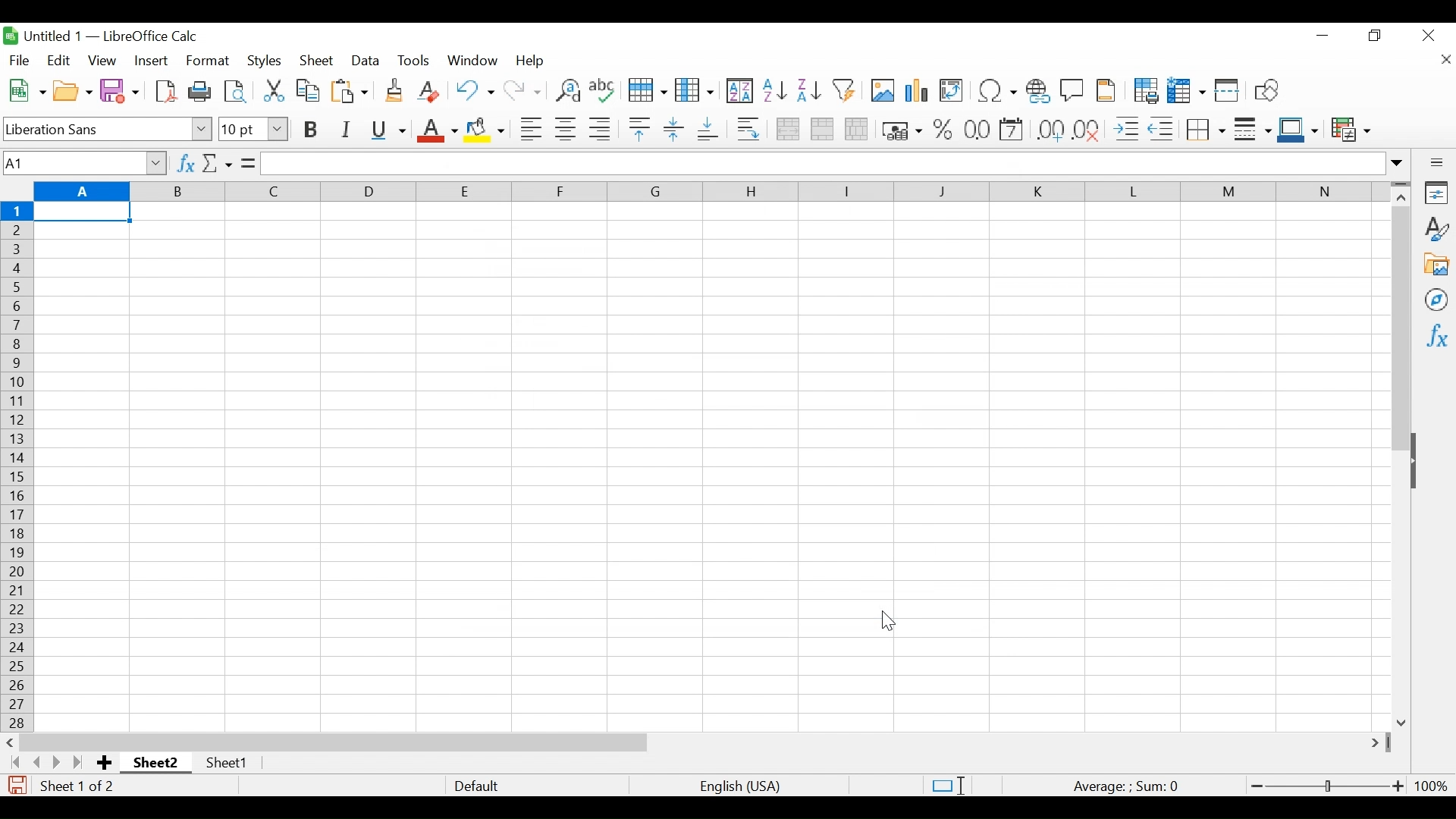 This screenshot has width=1456, height=819. Describe the element at coordinates (645, 91) in the screenshot. I see `Row` at that location.